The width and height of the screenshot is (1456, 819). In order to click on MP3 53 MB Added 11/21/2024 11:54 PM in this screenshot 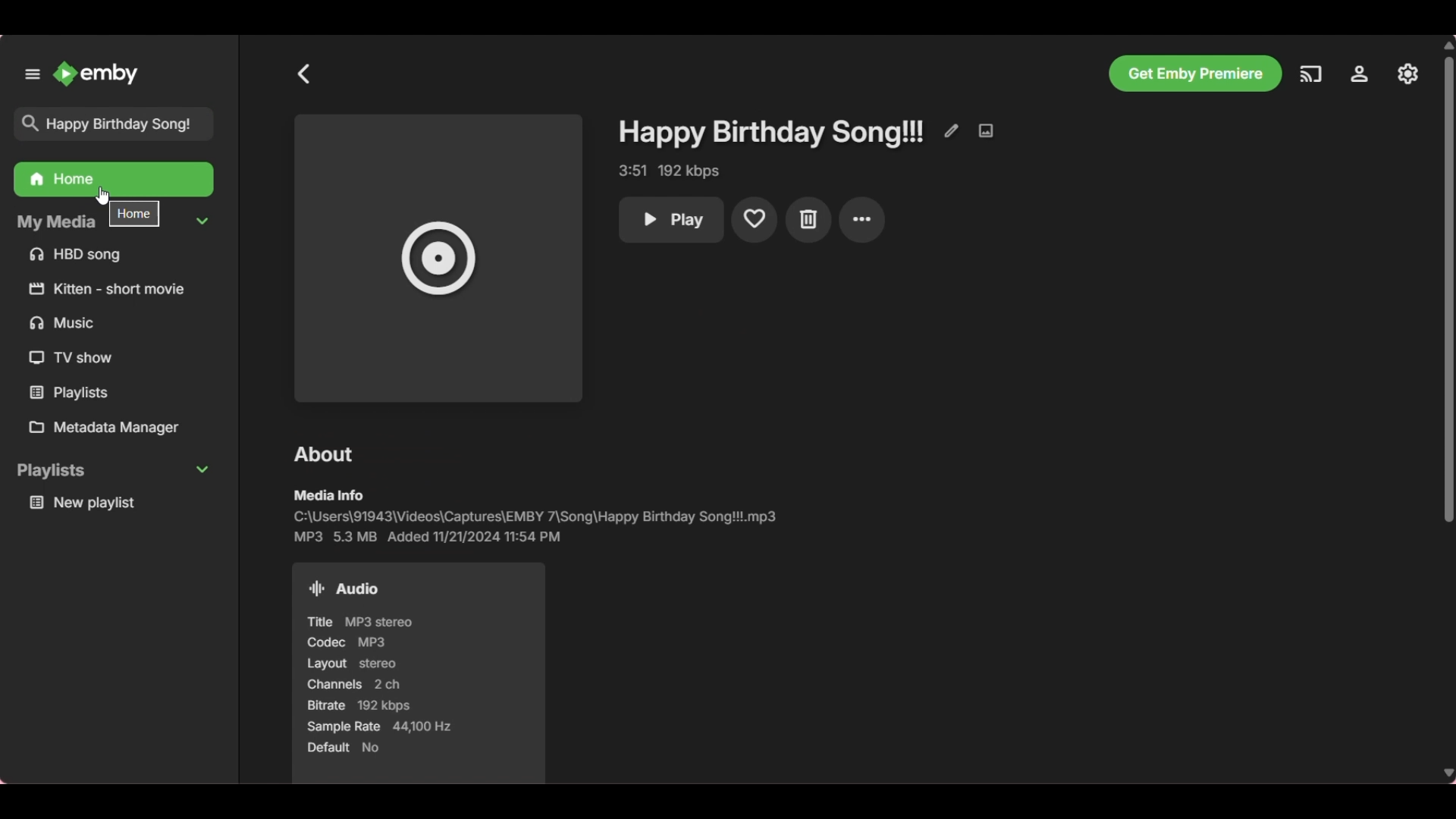, I will do `click(430, 539)`.